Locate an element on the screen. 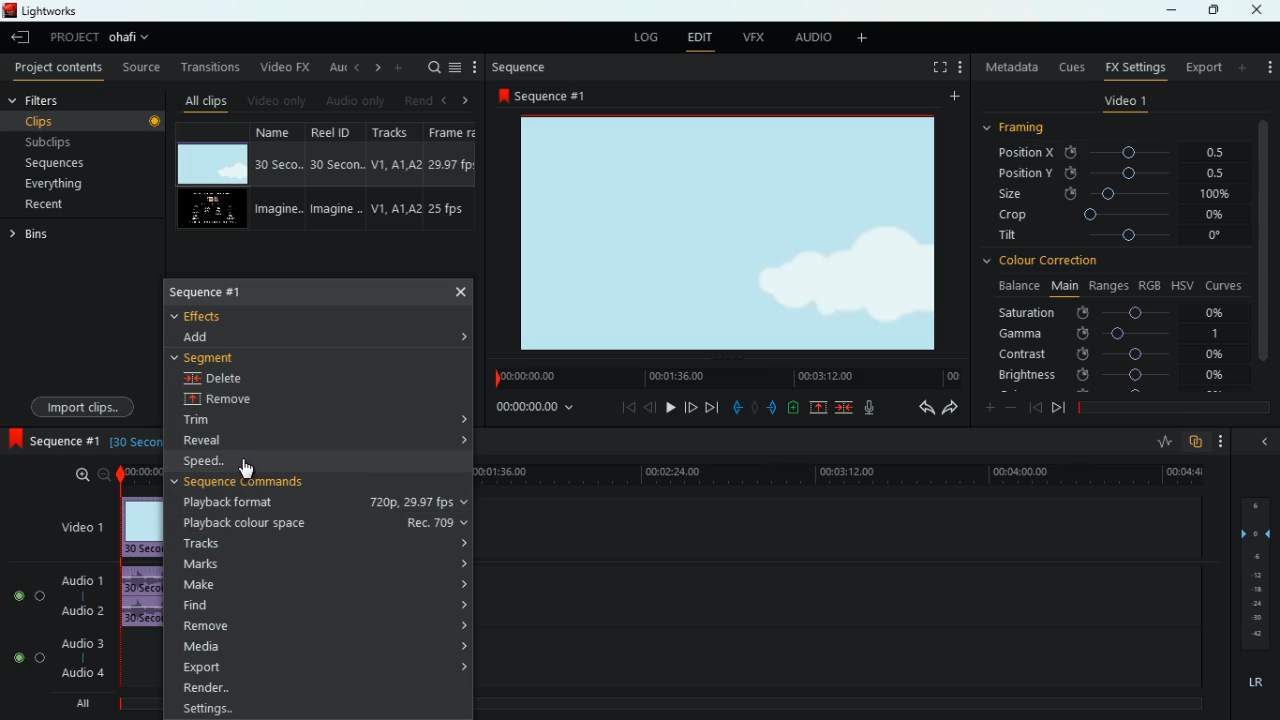 Image resolution: width=1280 pixels, height=720 pixels. rgb is located at coordinates (1151, 284).